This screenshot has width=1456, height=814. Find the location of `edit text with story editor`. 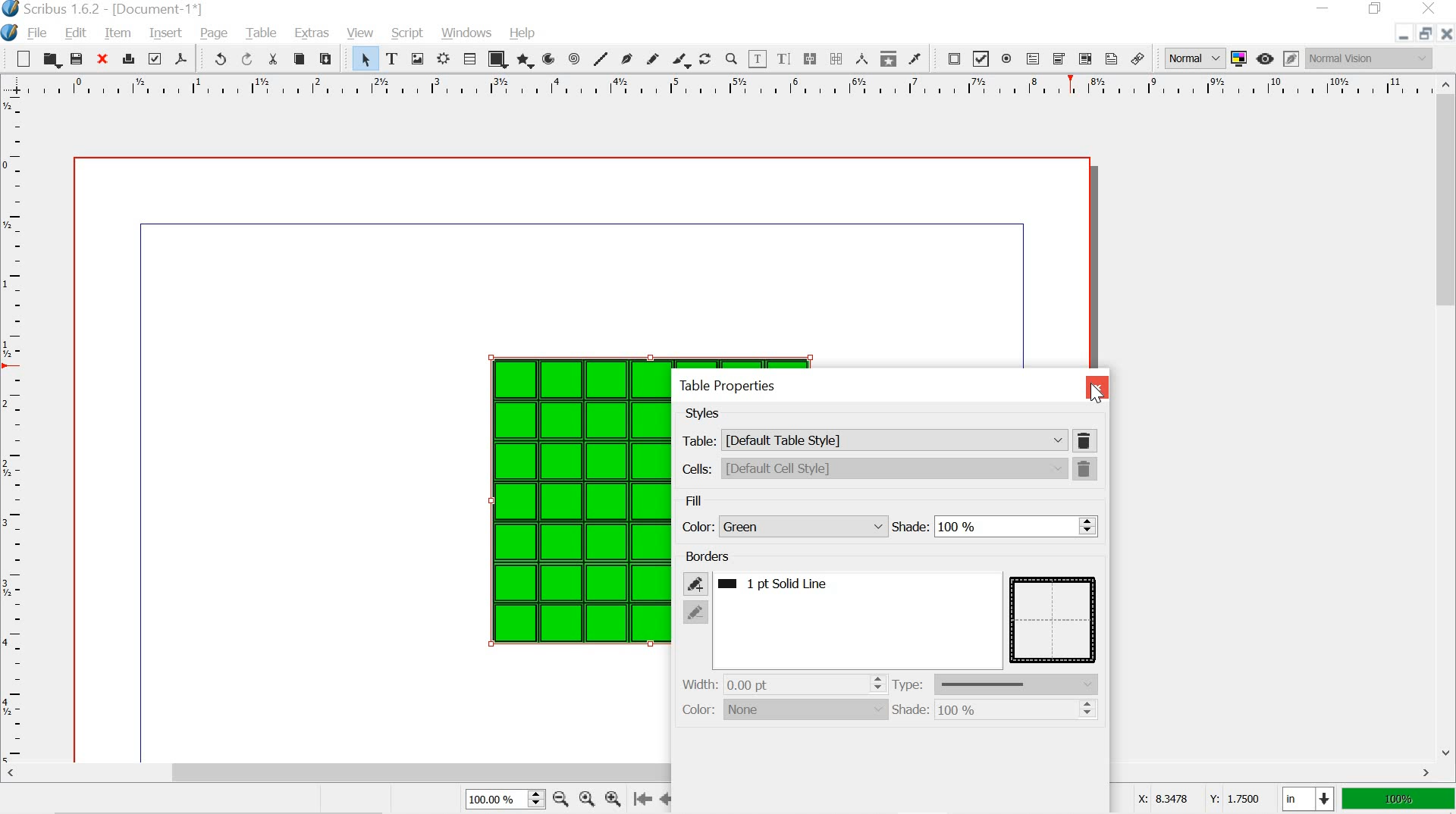

edit text with story editor is located at coordinates (783, 58).